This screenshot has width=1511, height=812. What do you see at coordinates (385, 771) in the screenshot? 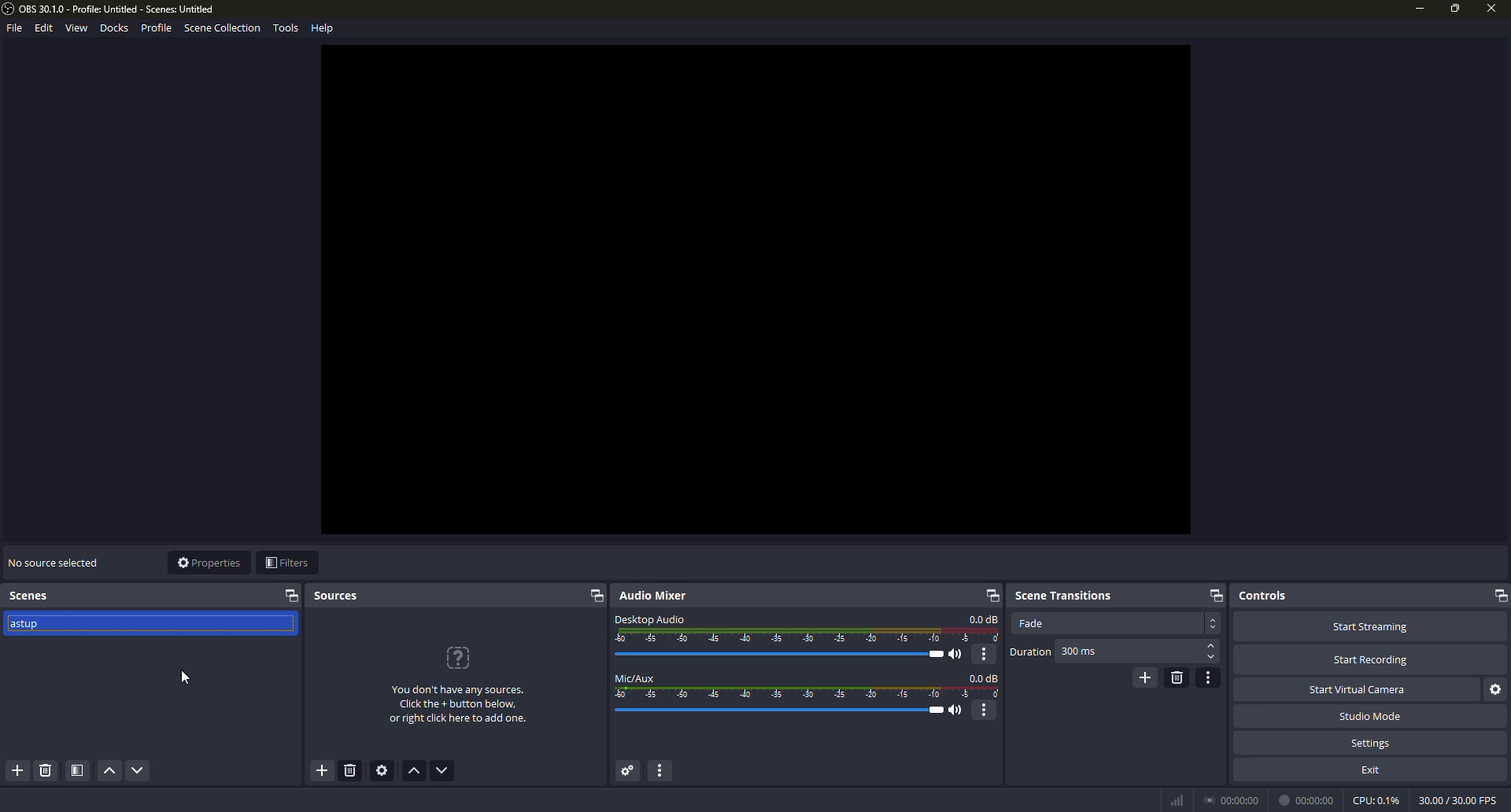
I see `open source properties` at bounding box center [385, 771].